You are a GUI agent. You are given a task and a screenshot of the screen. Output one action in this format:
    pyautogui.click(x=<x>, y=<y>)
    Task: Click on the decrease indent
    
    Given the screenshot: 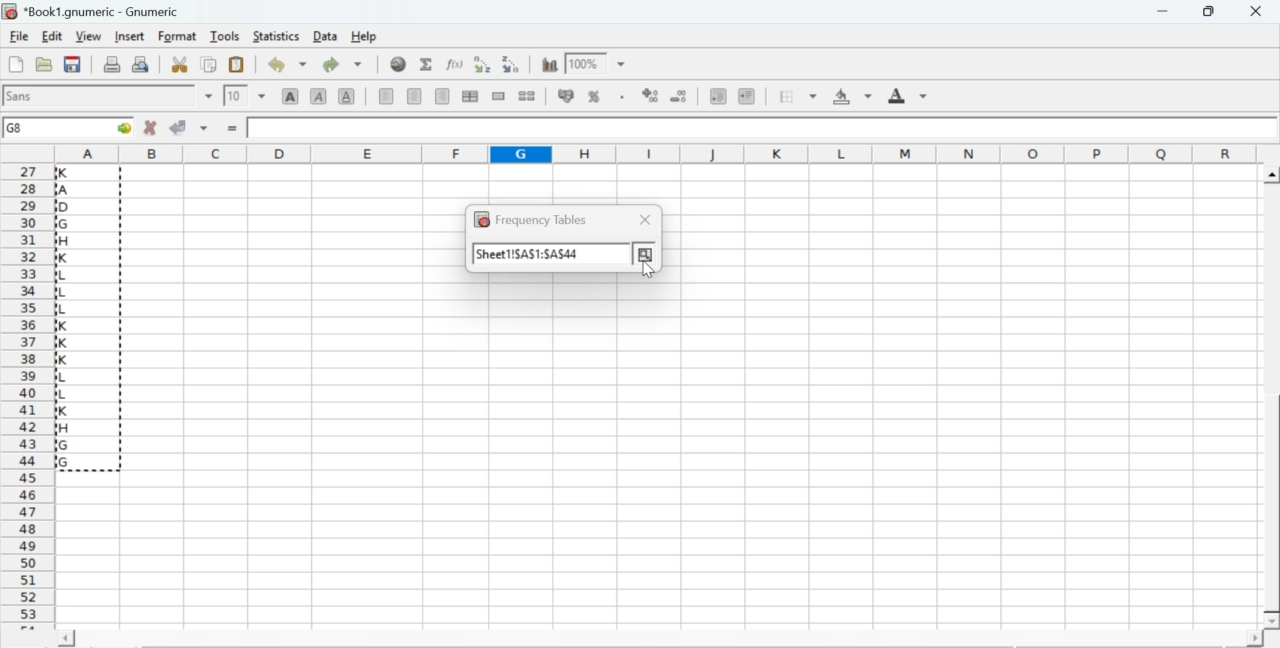 What is the action you would take?
    pyautogui.click(x=718, y=95)
    